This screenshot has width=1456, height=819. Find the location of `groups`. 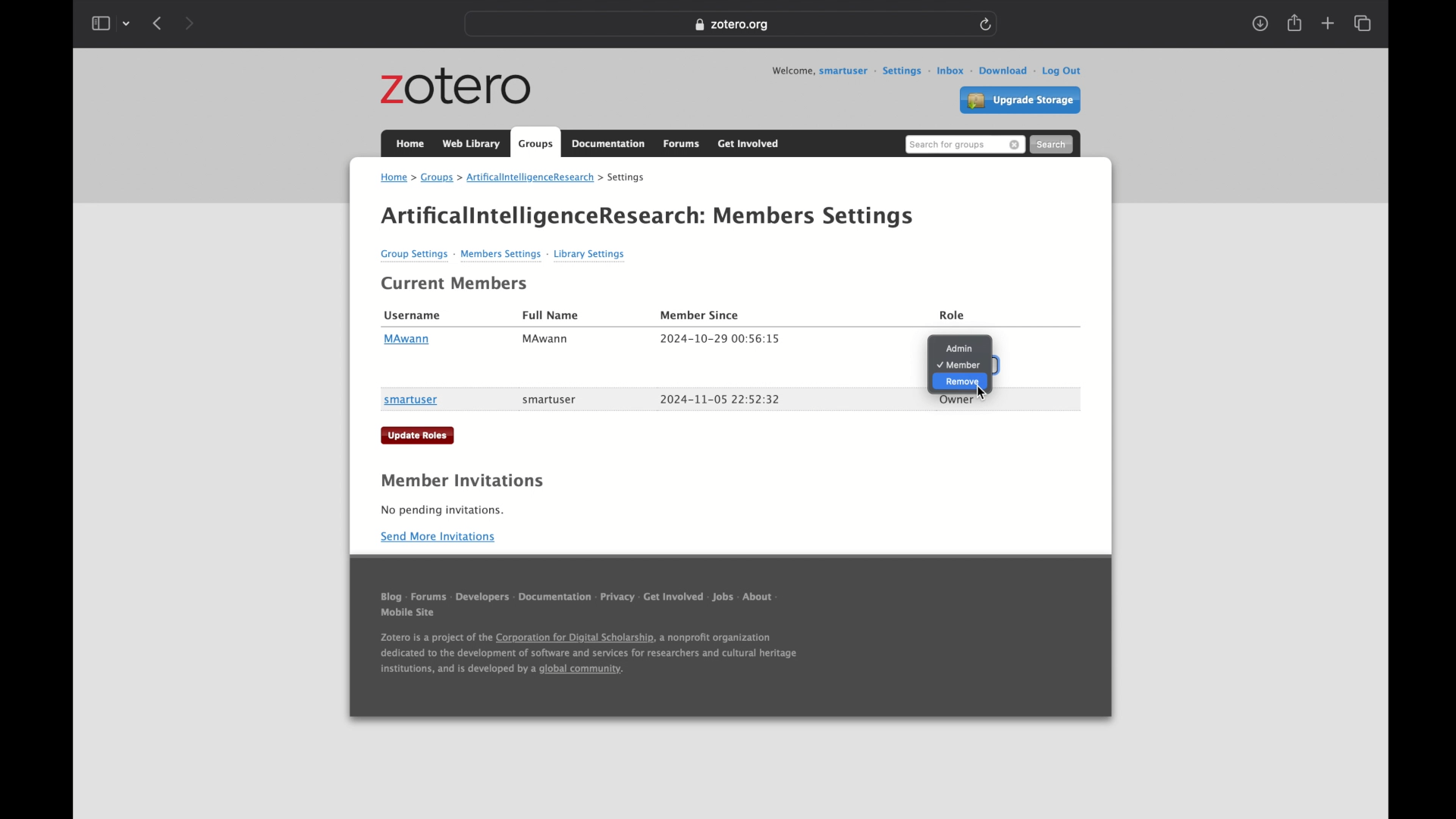

groups is located at coordinates (438, 178).